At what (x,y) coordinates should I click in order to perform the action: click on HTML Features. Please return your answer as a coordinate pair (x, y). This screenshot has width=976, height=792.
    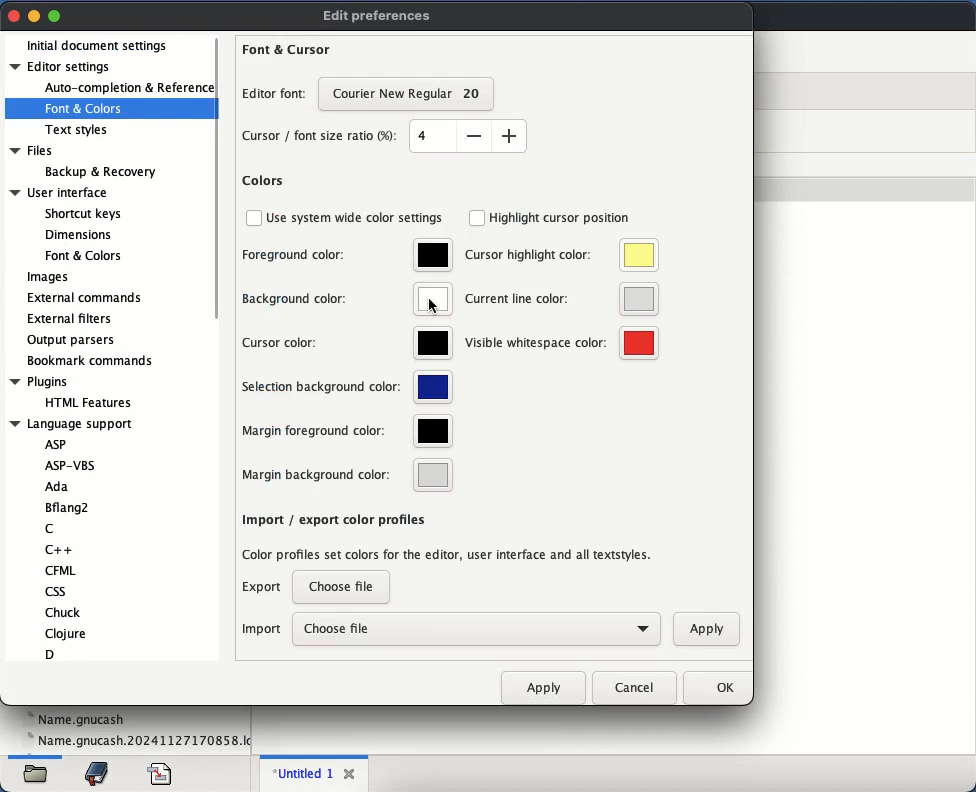
    Looking at the image, I should click on (88, 402).